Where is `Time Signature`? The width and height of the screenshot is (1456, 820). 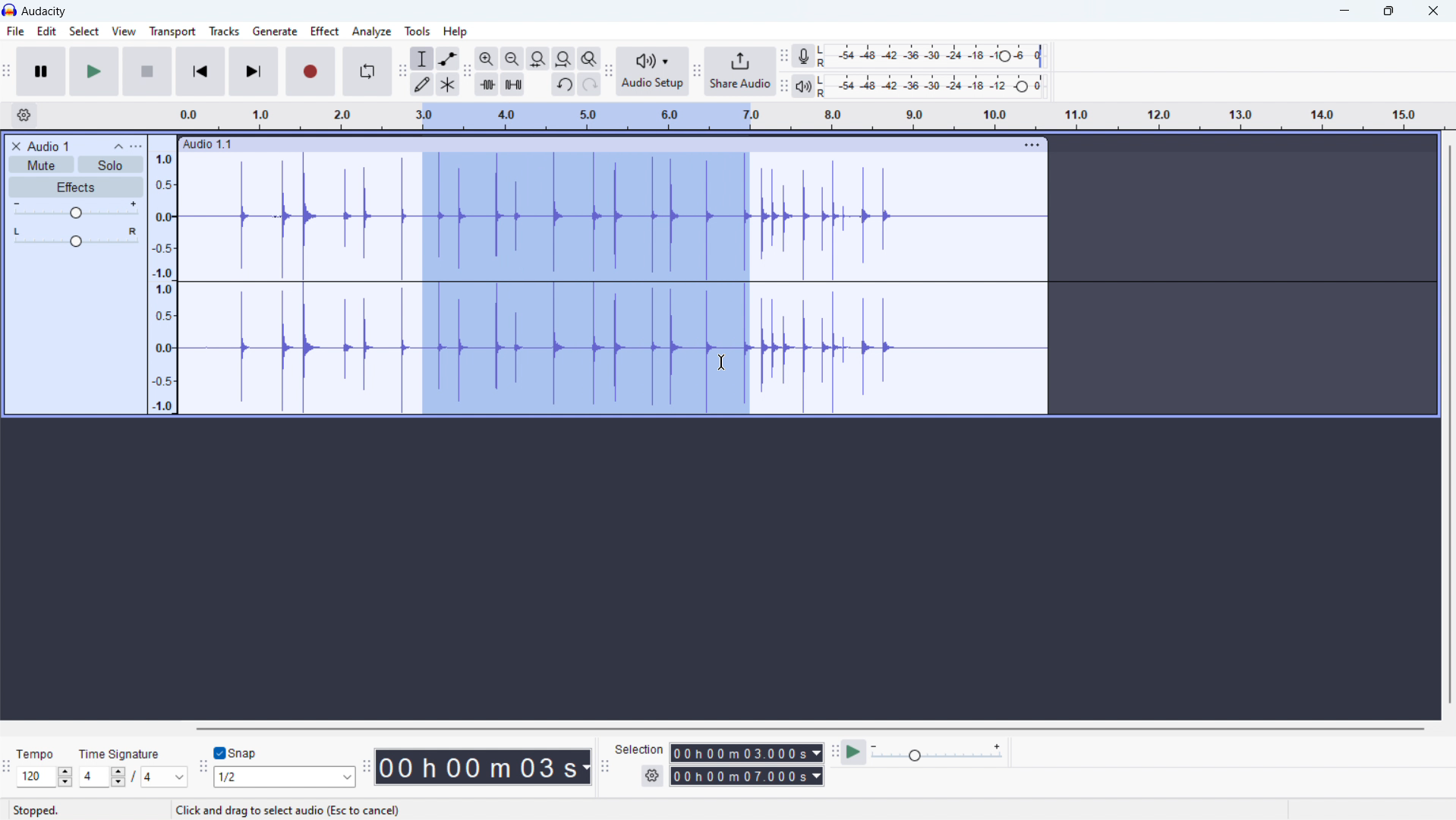 Time Signature is located at coordinates (125, 750).